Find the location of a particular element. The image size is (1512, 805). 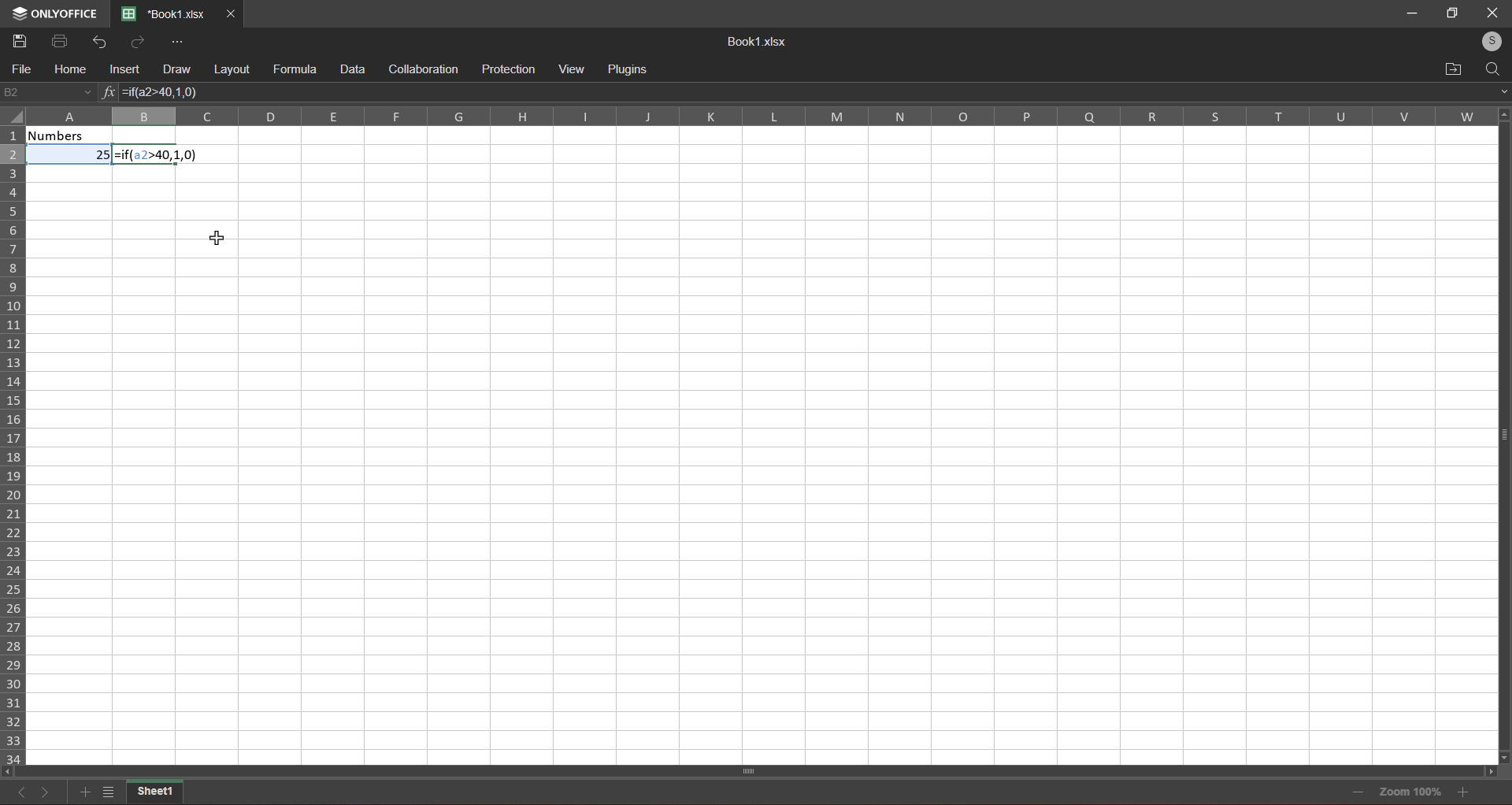

insert is located at coordinates (120, 70).